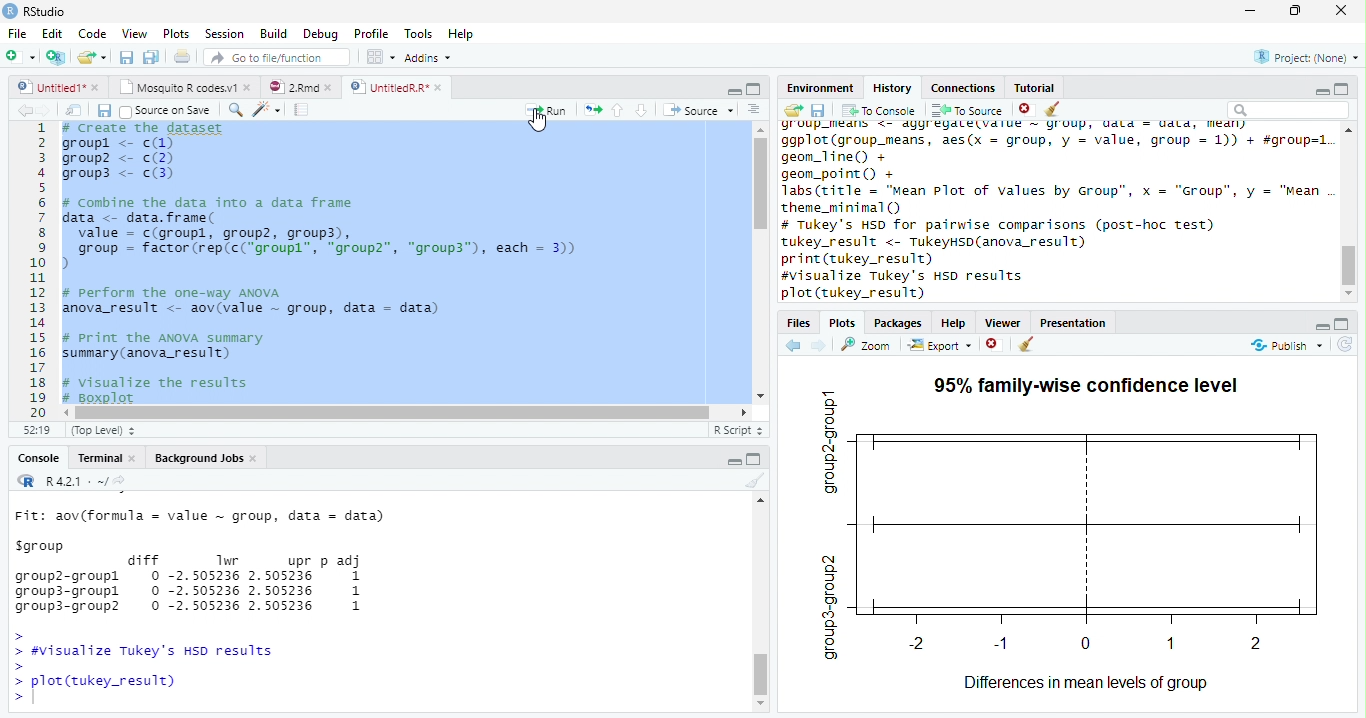 The height and width of the screenshot is (718, 1366). I want to click on Go to file/function, so click(277, 58).